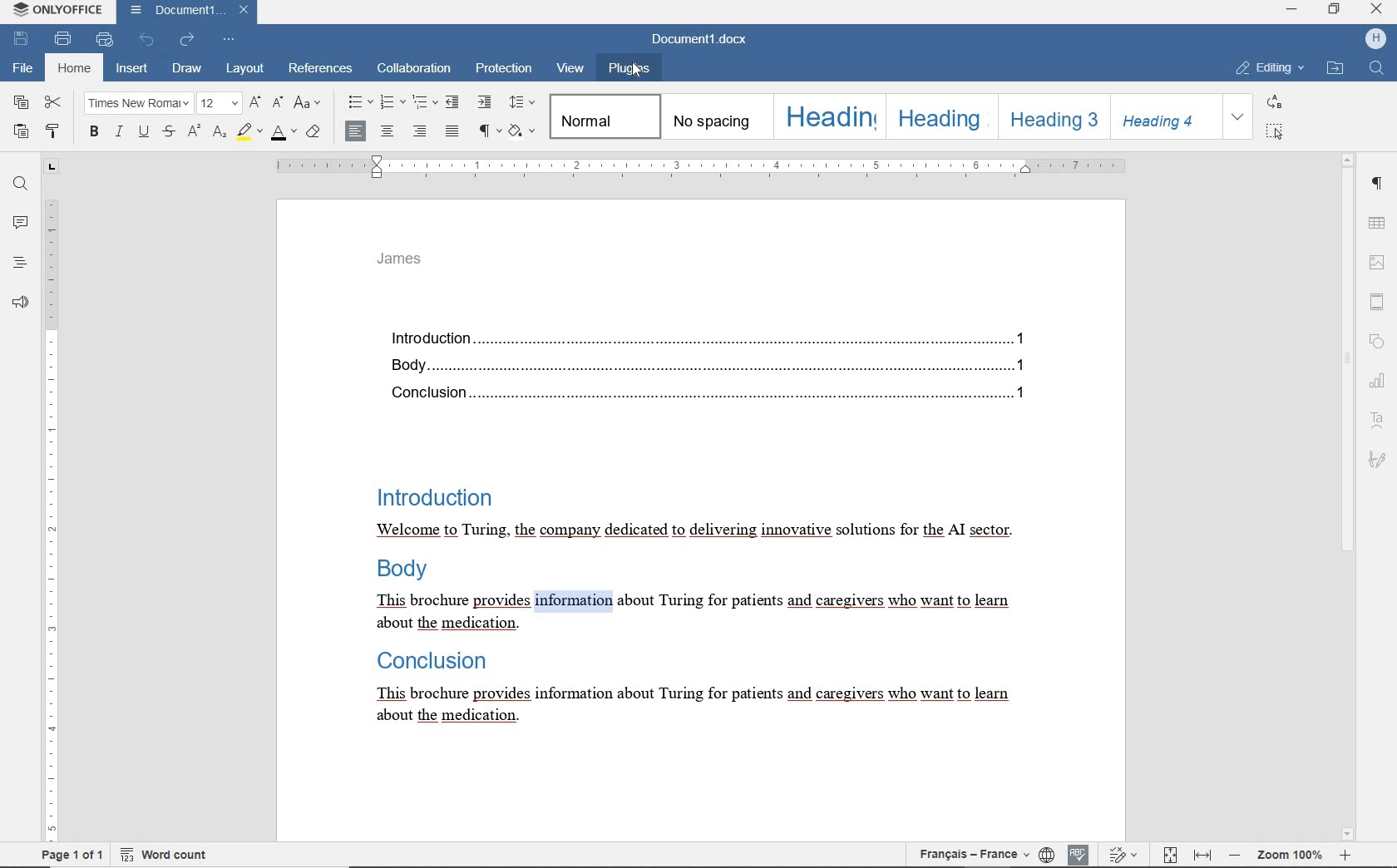 Image resolution: width=1397 pixels, height=868 pixels. I want to click on HEADING 3, so click(1052, 116).